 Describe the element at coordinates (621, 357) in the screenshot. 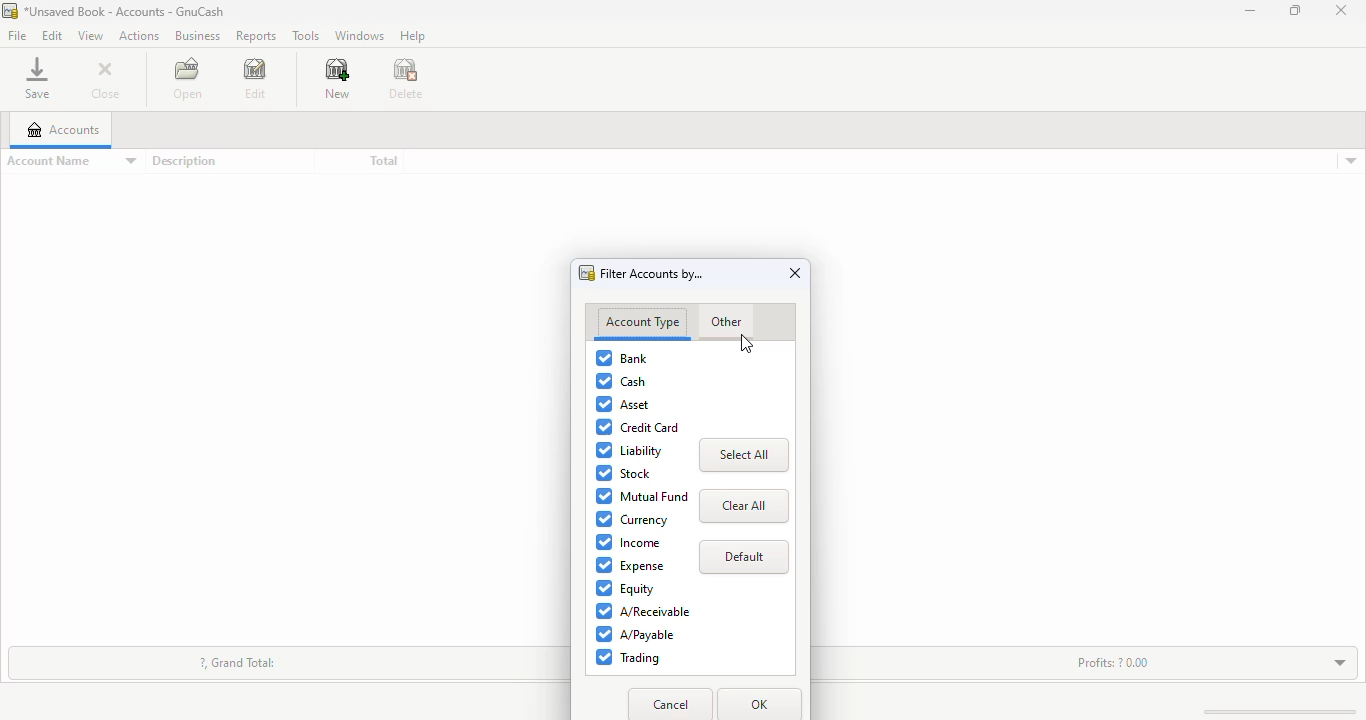

I see `bank` at that location.